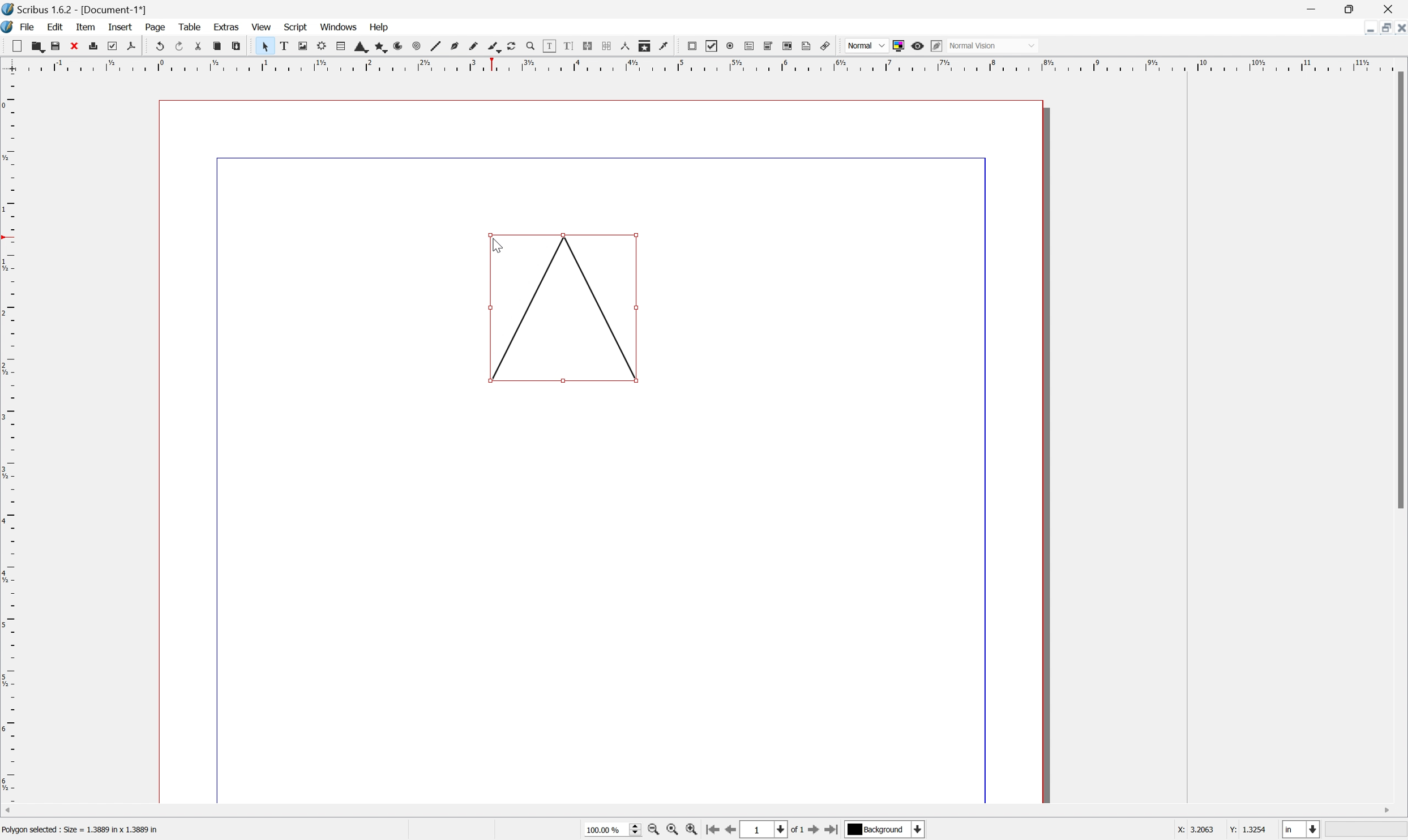 The height and width of the screenshot is (840, 1408). What do you see at coordinates (178, 45) in the screenshot?
I see `Redo` at bounding box center [178, 45].